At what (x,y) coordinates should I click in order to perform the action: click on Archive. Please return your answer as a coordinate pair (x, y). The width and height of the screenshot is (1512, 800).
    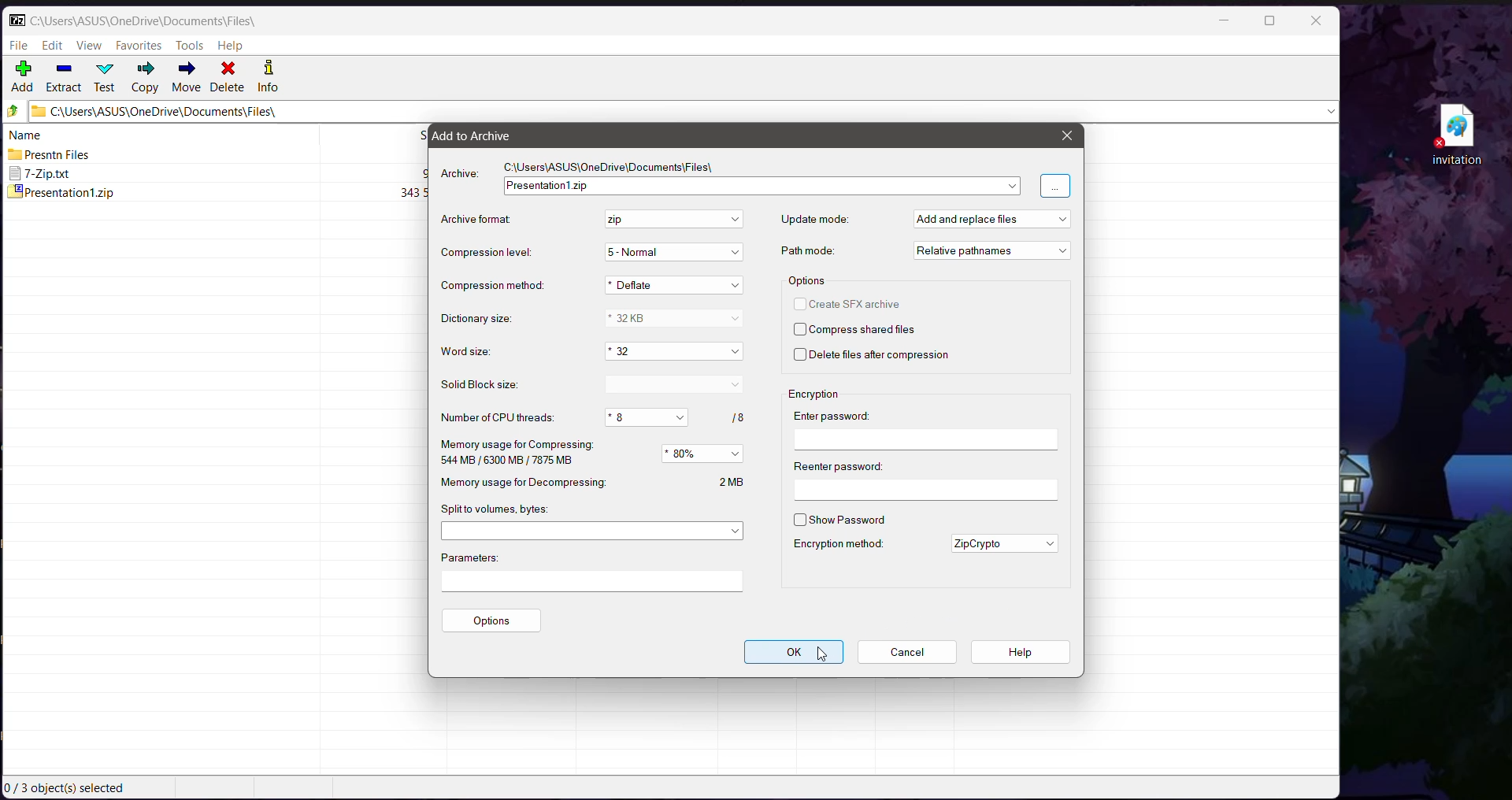
    Looking at the image, I should click on (460, 173).